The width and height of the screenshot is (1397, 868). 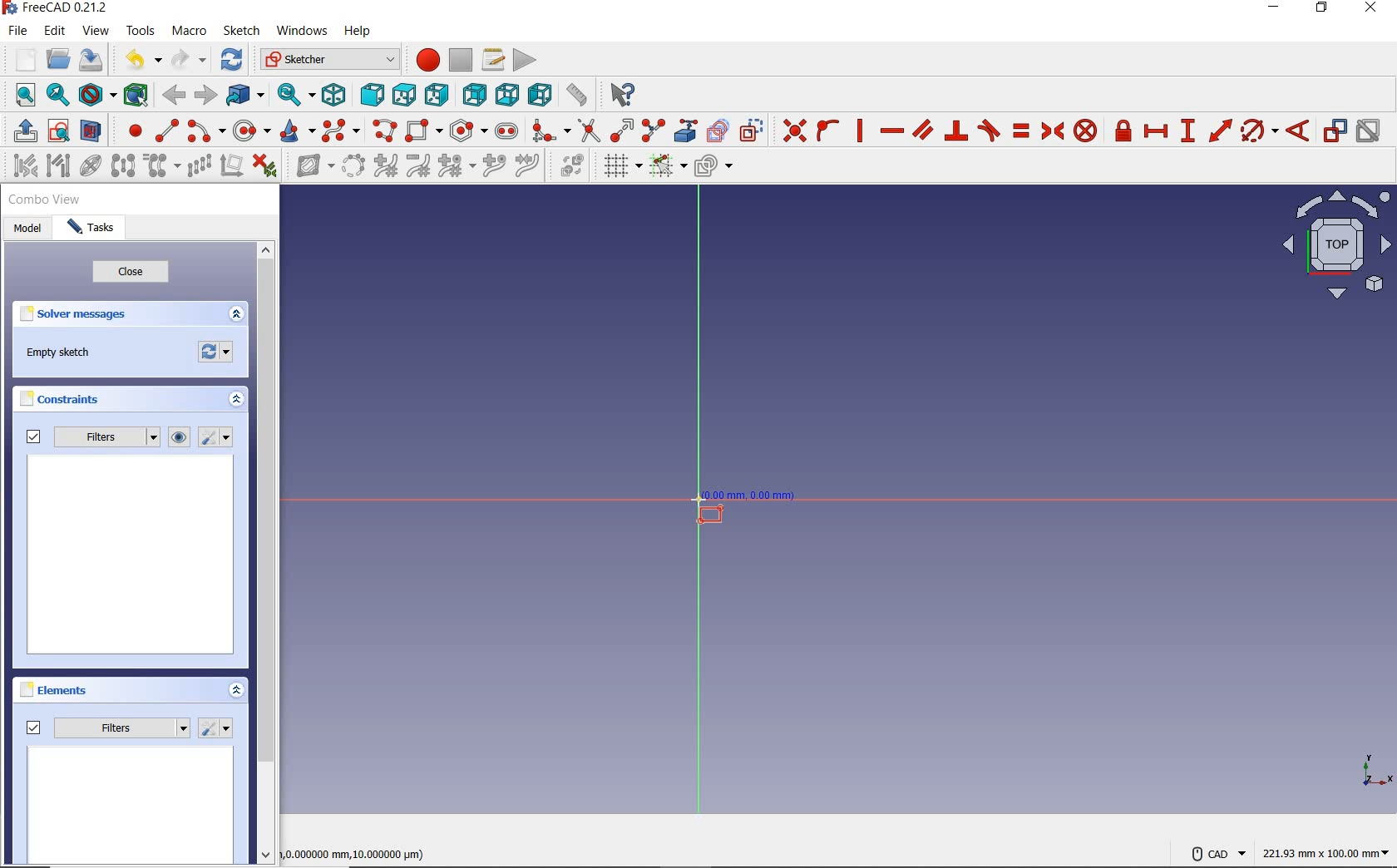 I want to click on constrain horizontally, so click(x=891, y=131).